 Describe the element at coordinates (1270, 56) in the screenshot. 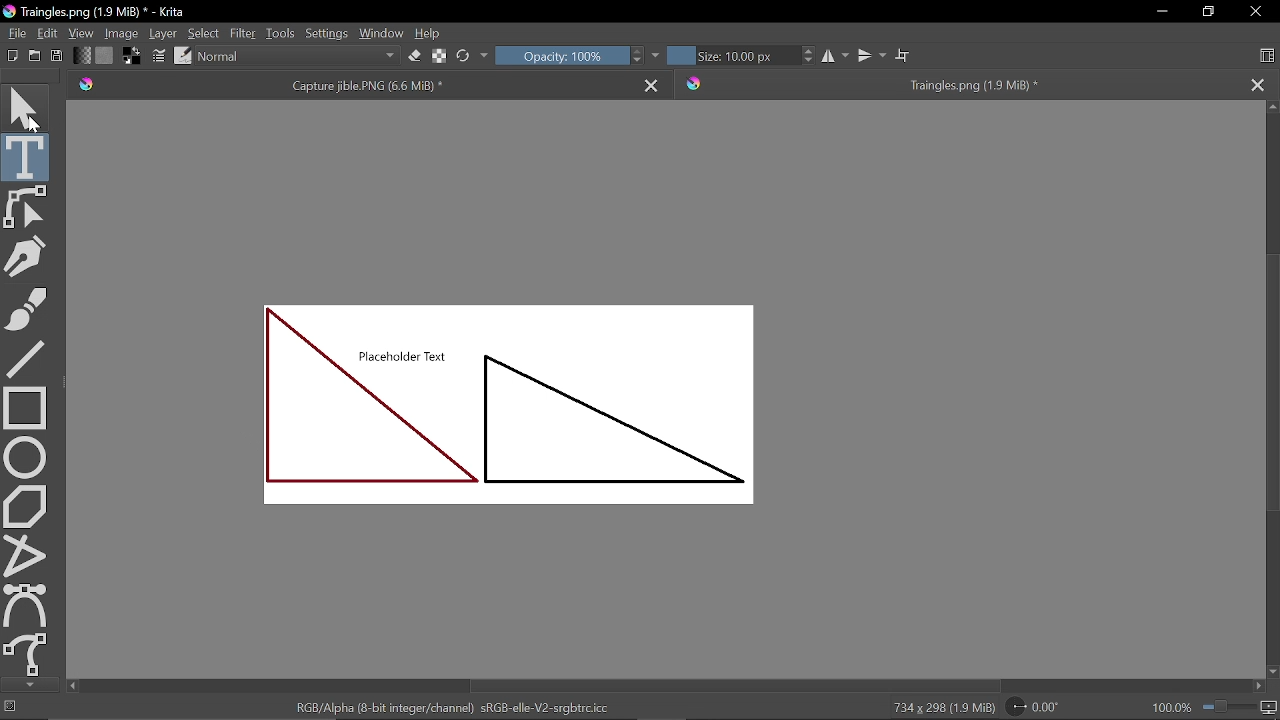

I see `Choose workspace` at that location.